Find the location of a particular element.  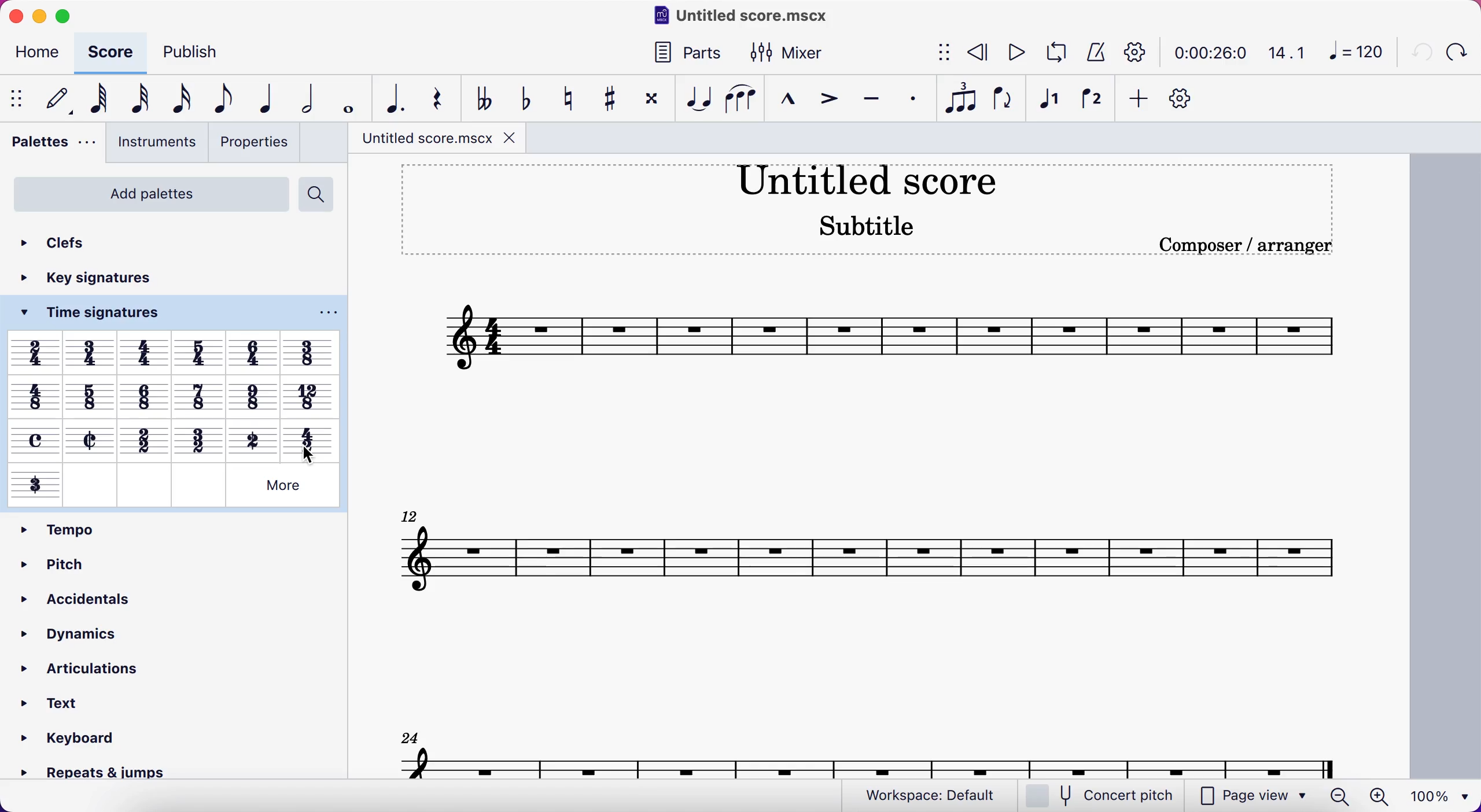

 is located at coordinates (142, 485).